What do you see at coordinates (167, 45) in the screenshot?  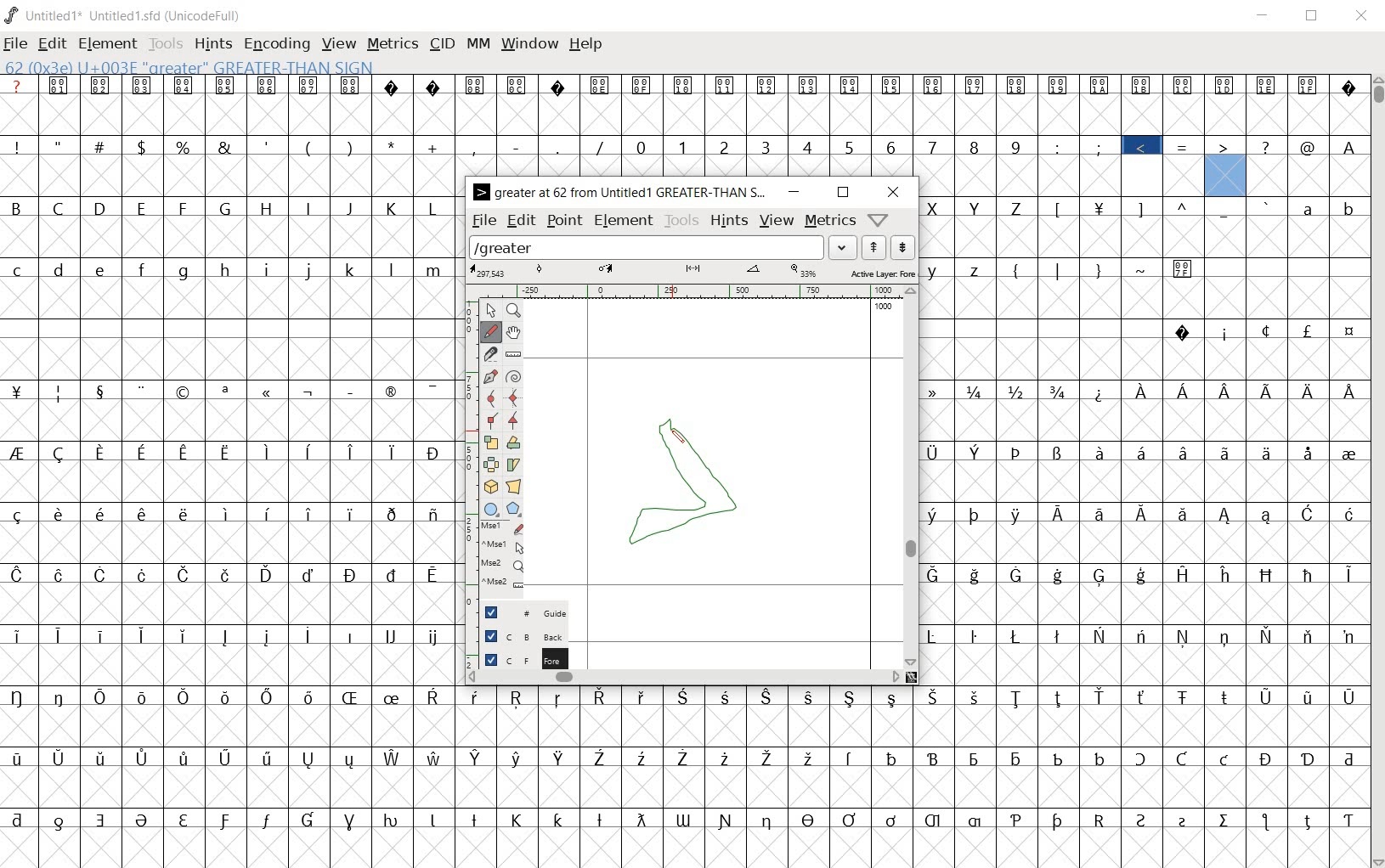 I see `tools` at bounding box center [167, 45].